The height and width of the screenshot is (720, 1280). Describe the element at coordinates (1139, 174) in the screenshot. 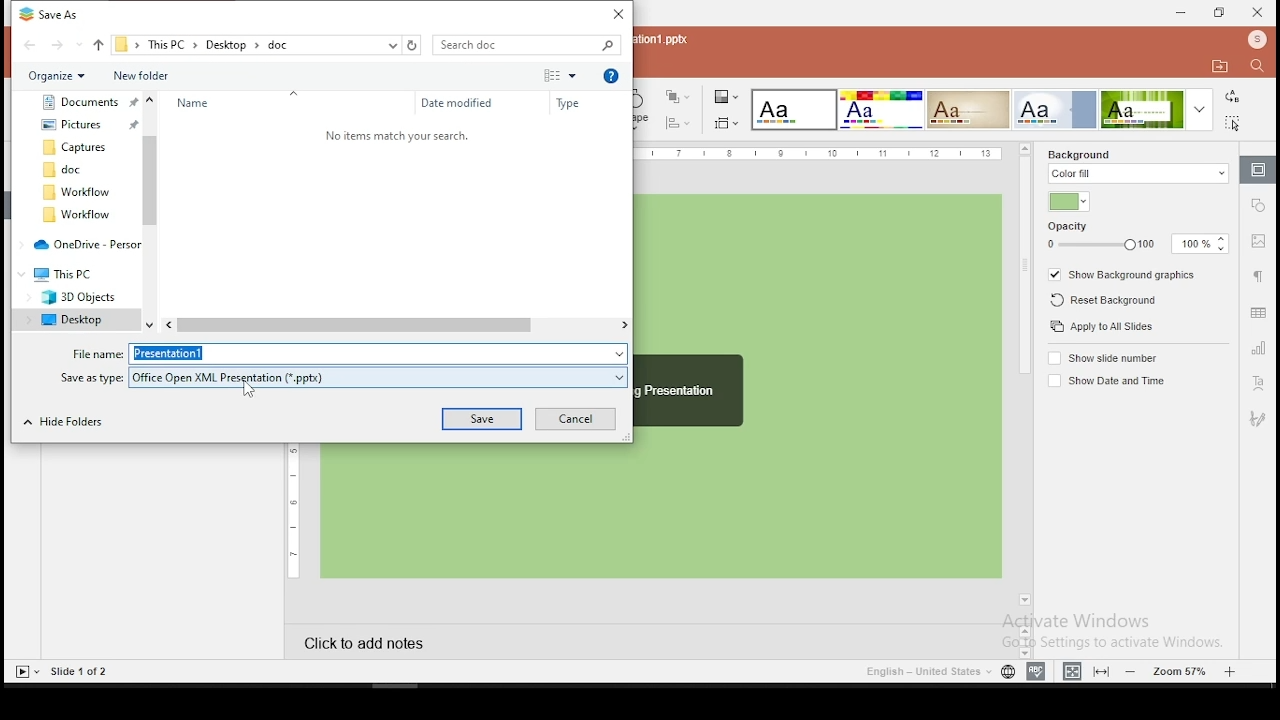

I see `color fill` at that location.